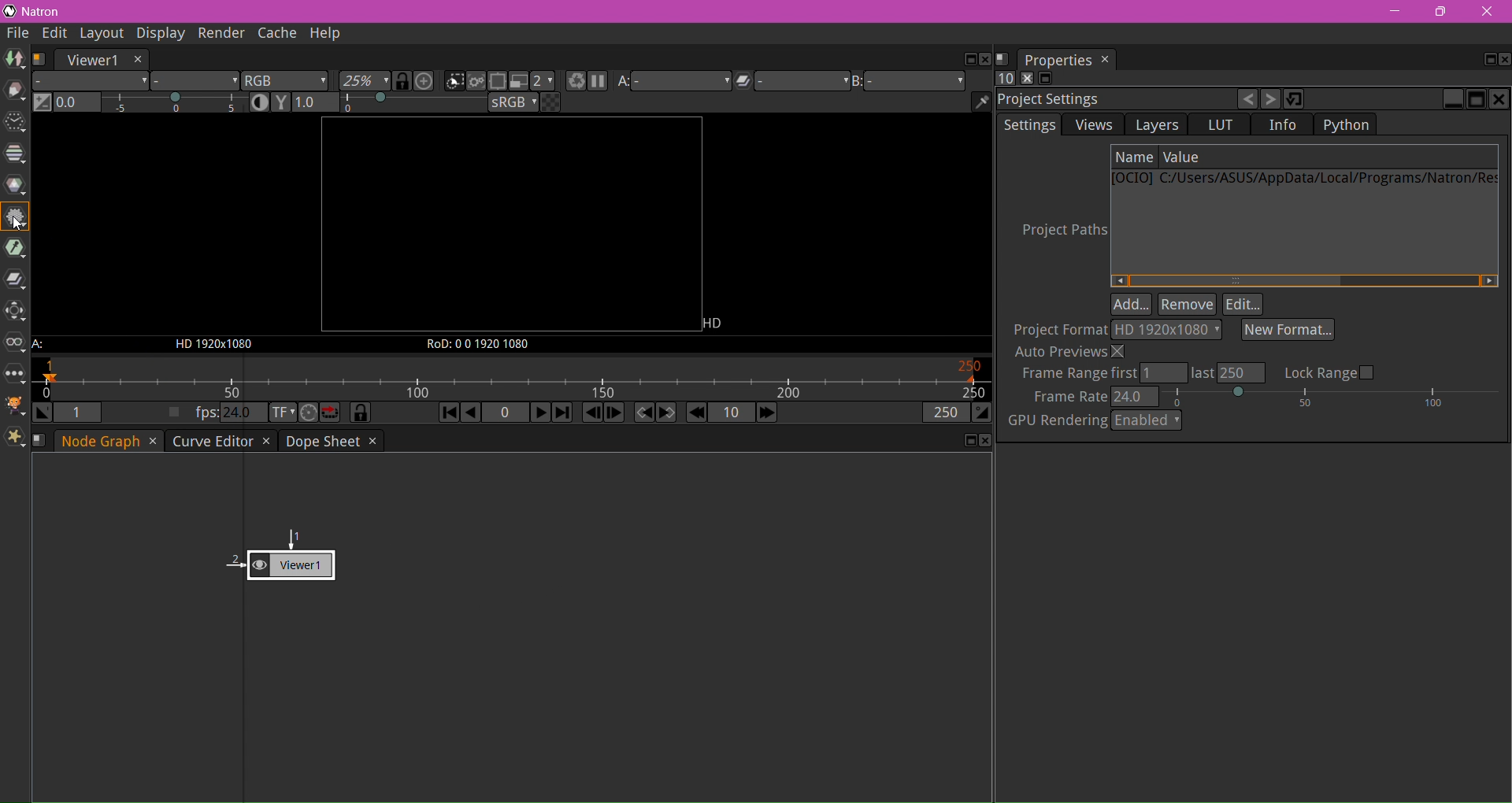 This screenshot has height=803, width=1512. I want to click on Set the Frame Range first and last, so click(1140, 373).